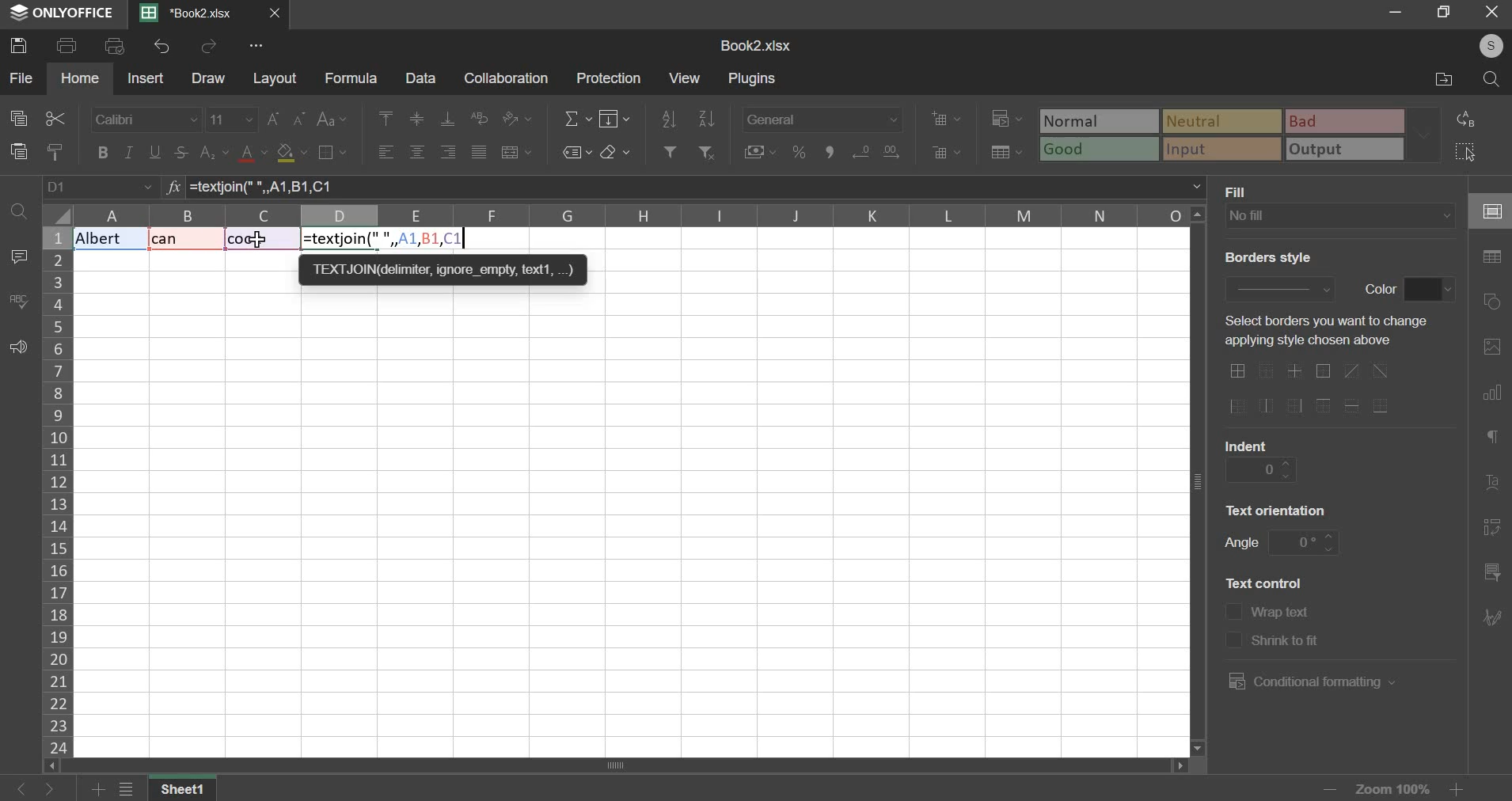 Image resolution: width=1512 pixels, height=801 pixels. Describe the element at coordinates (947, 152) in the screenshot. I see `delete cells` at that location.